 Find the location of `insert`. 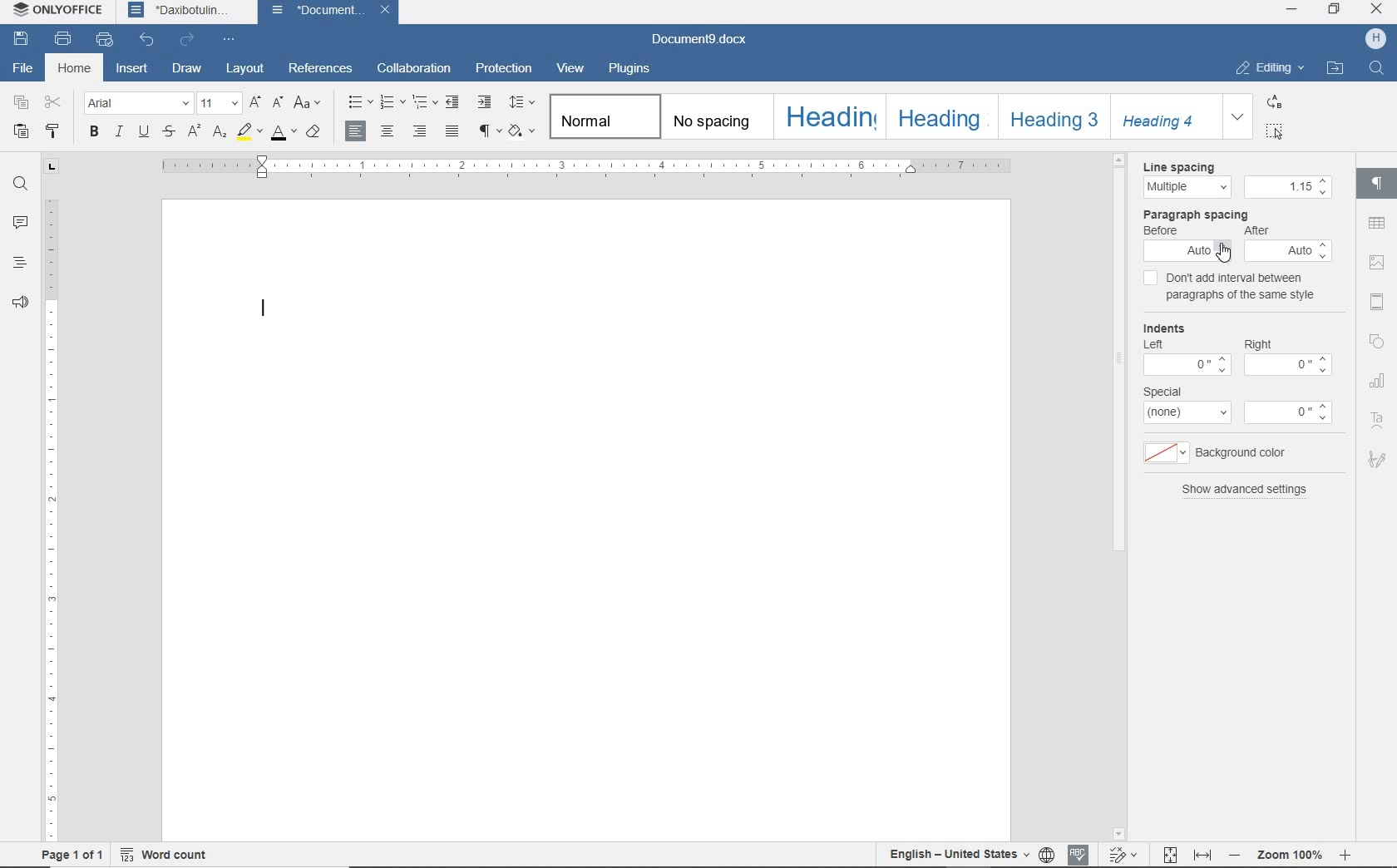

insert is located at coordinates (135, 70).